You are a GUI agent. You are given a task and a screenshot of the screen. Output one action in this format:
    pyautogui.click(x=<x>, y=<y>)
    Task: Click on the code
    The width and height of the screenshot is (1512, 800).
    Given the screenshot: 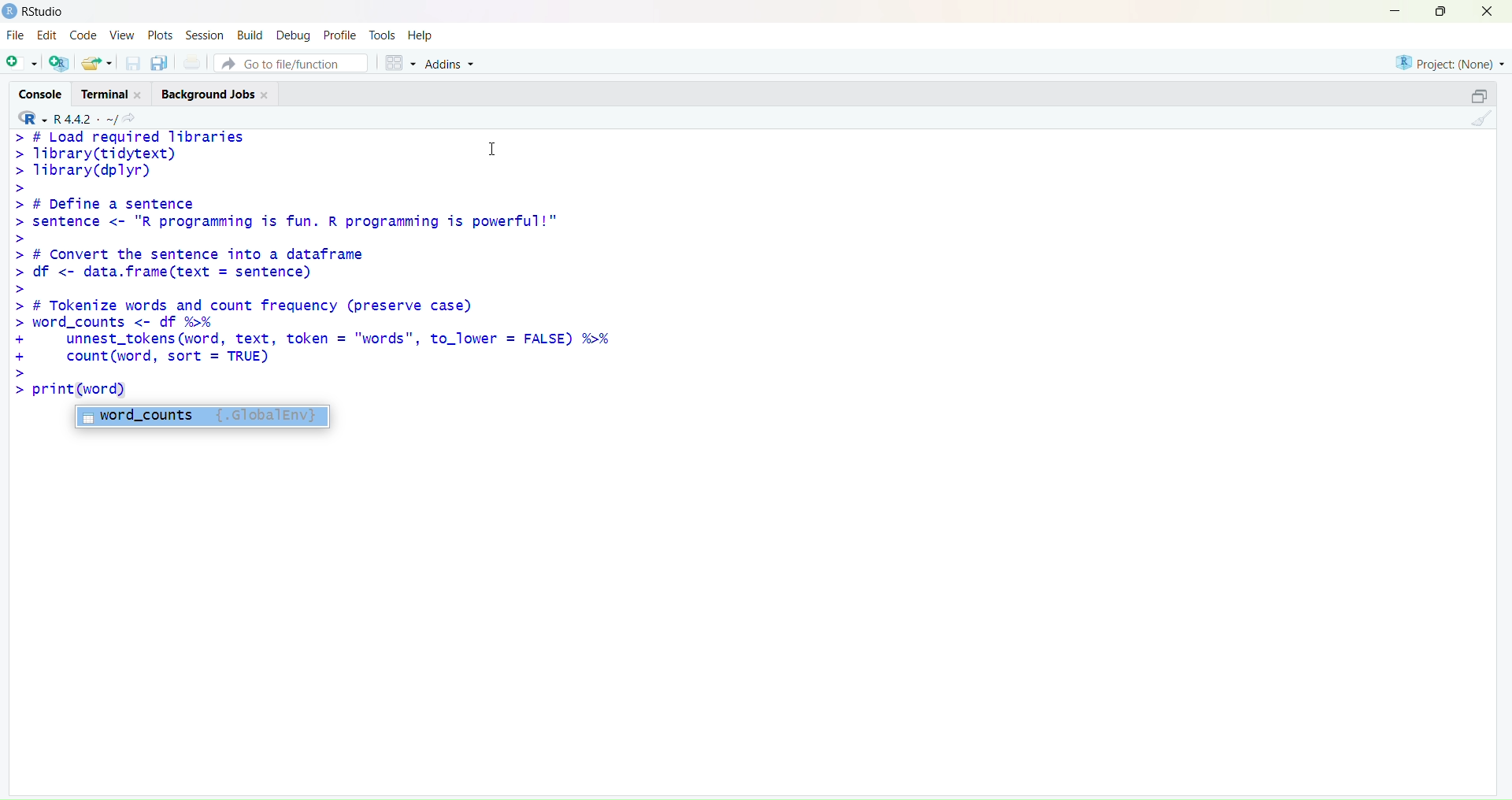 What is the action you would take?
    pyautogui.click(x=87, y=36)
    